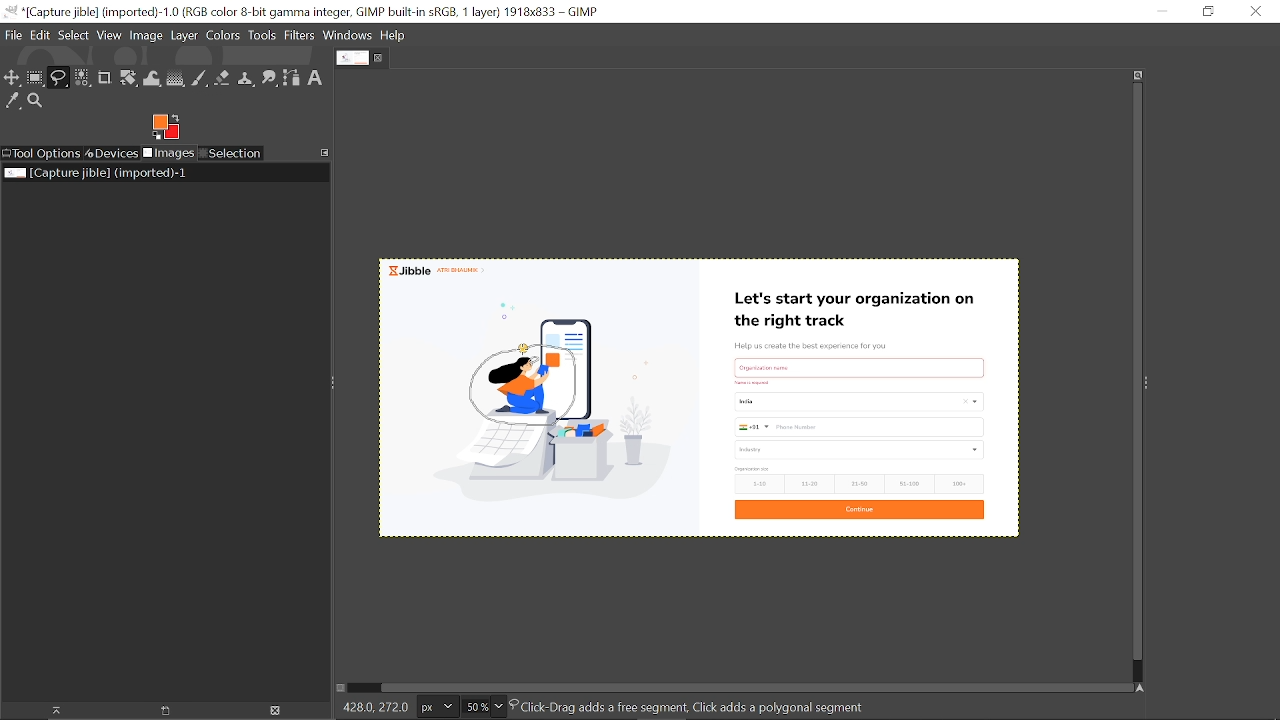 Image resolution: width=1280 pixels, height=720 pixels. What do you see at coordinates (110, 35) in the screenshot?
I see `View` at bounding box center [110, 35].